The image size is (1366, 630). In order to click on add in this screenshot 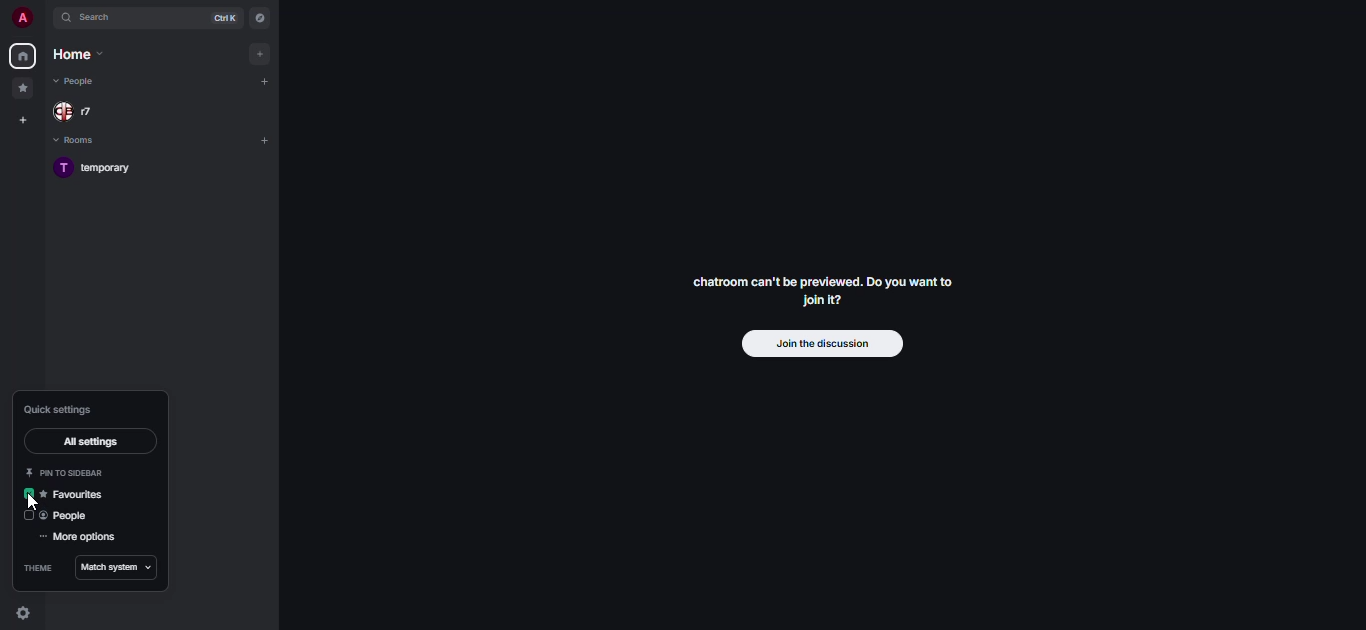, I will do `click(262, 54)`.